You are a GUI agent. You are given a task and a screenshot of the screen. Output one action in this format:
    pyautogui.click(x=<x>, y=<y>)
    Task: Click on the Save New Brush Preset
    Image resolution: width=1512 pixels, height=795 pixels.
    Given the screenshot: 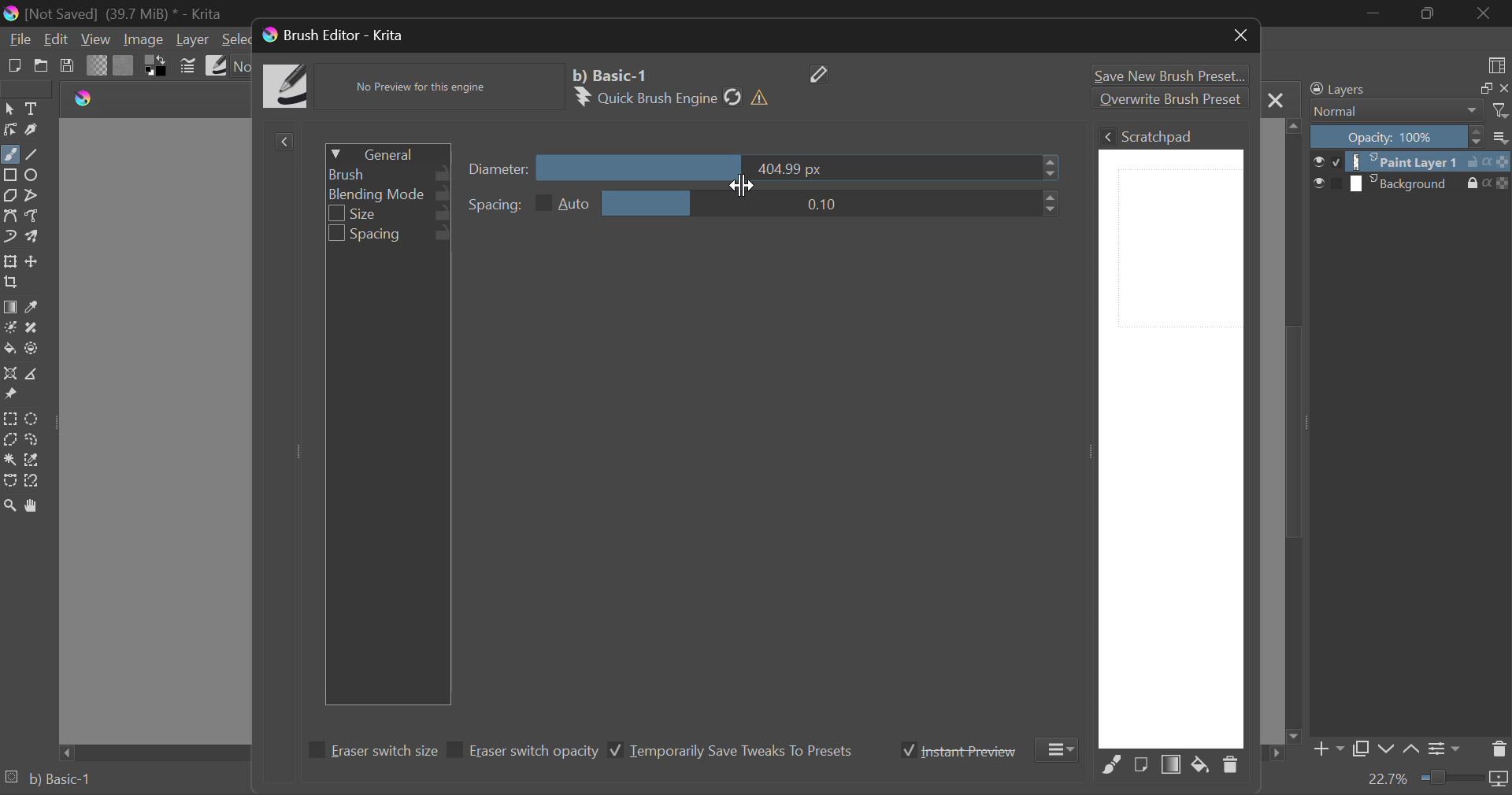 What is the action you would take?
    pyautogui.click(x=1167, y=73)
    